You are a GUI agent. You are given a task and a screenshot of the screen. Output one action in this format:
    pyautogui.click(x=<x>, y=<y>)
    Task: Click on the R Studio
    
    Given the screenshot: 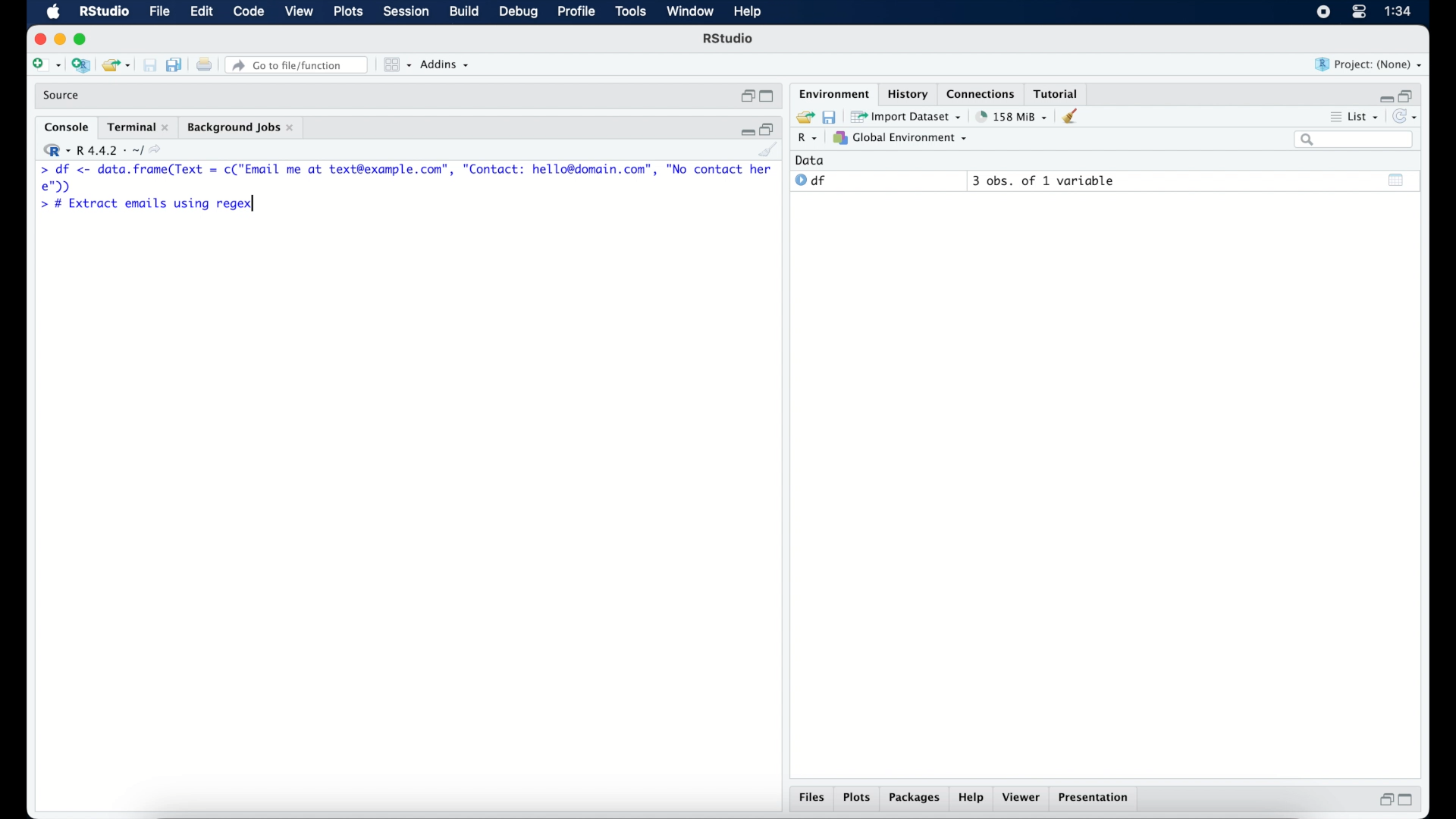 What is the action you would take?
    pyautogui.click(x=730, y=40)
    